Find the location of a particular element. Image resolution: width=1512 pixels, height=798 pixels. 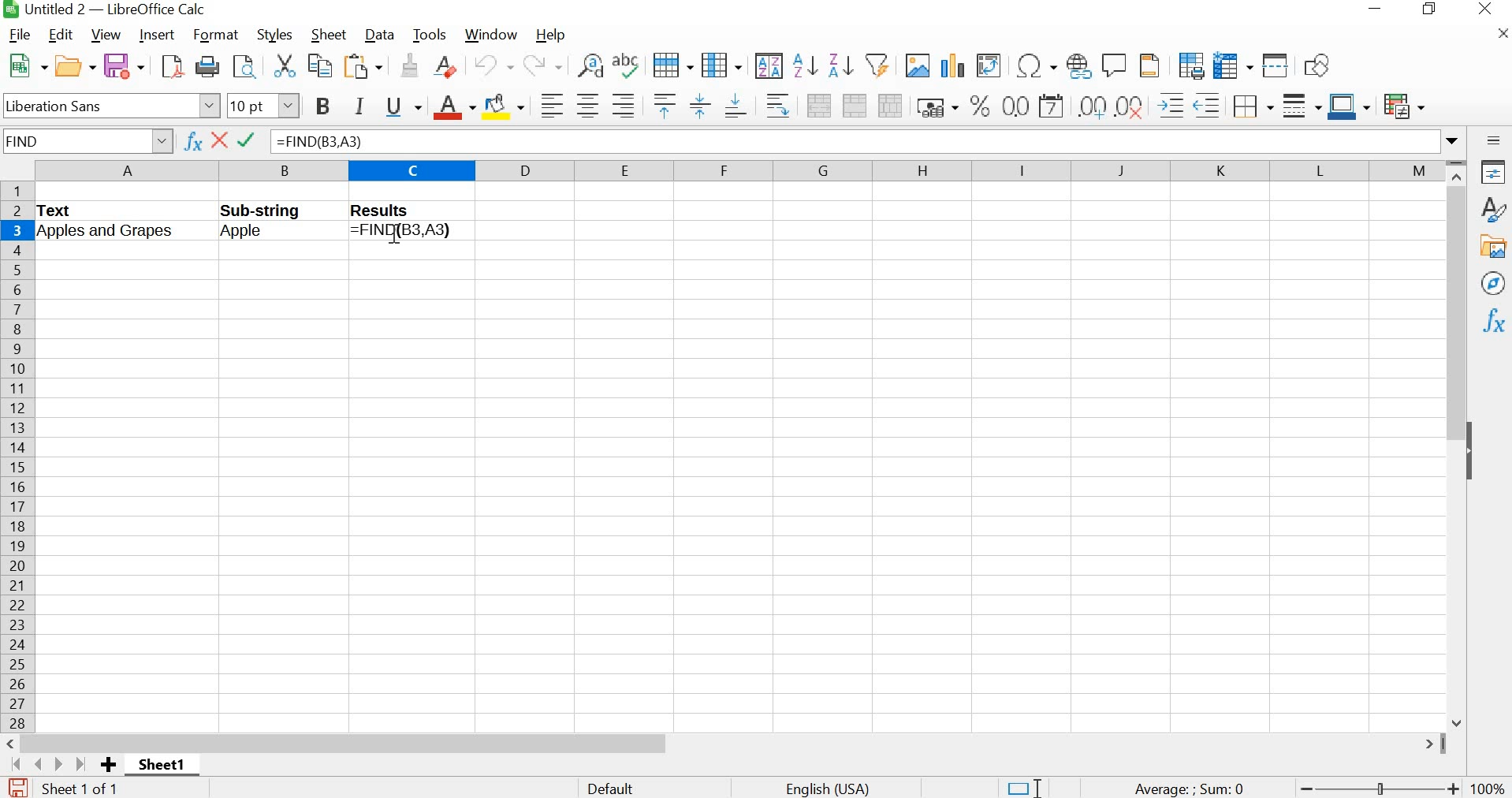

help is located at coordinates (555, 34).